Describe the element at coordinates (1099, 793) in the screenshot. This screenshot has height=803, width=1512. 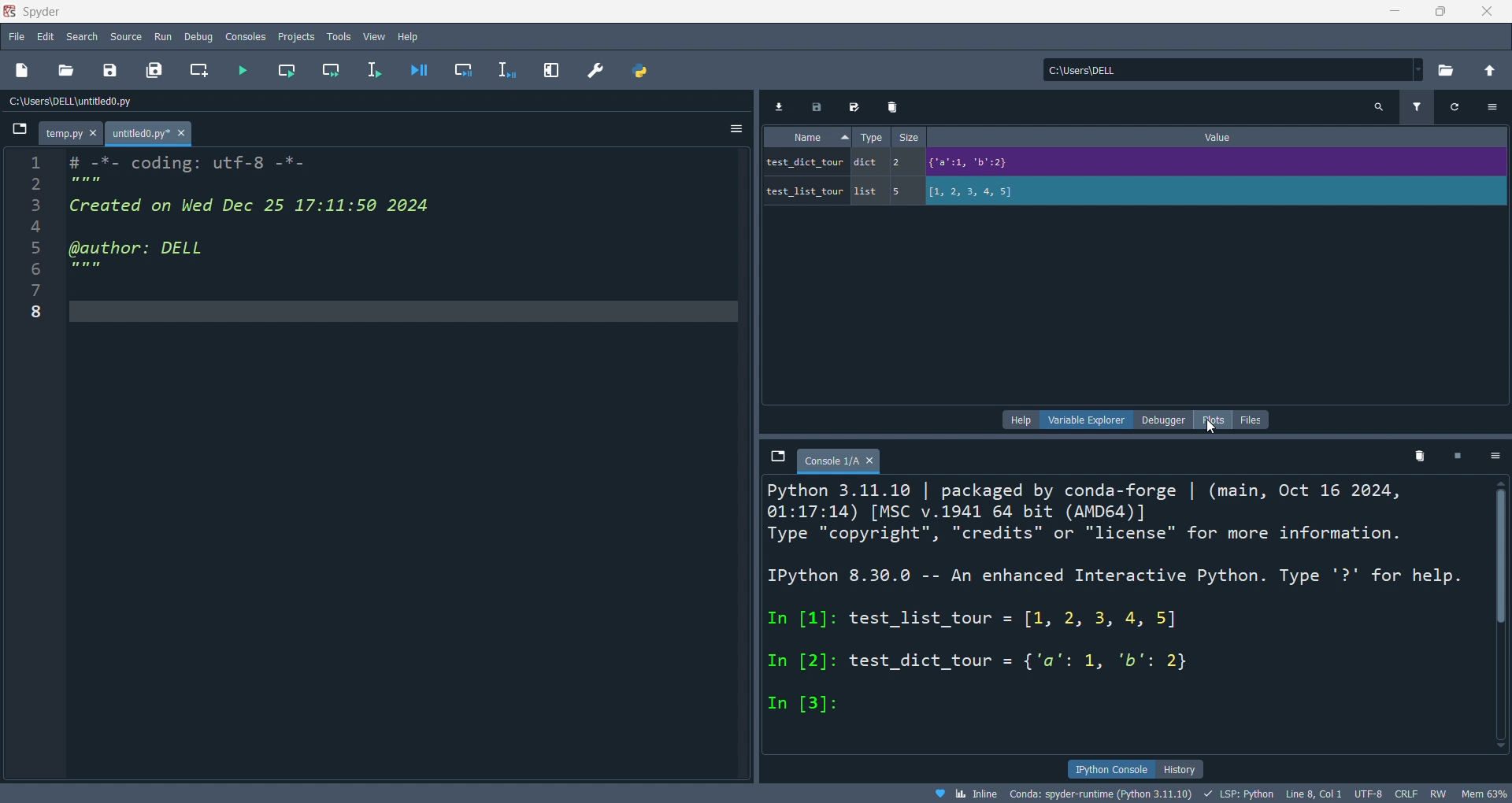
I see `interpreter` at that location.